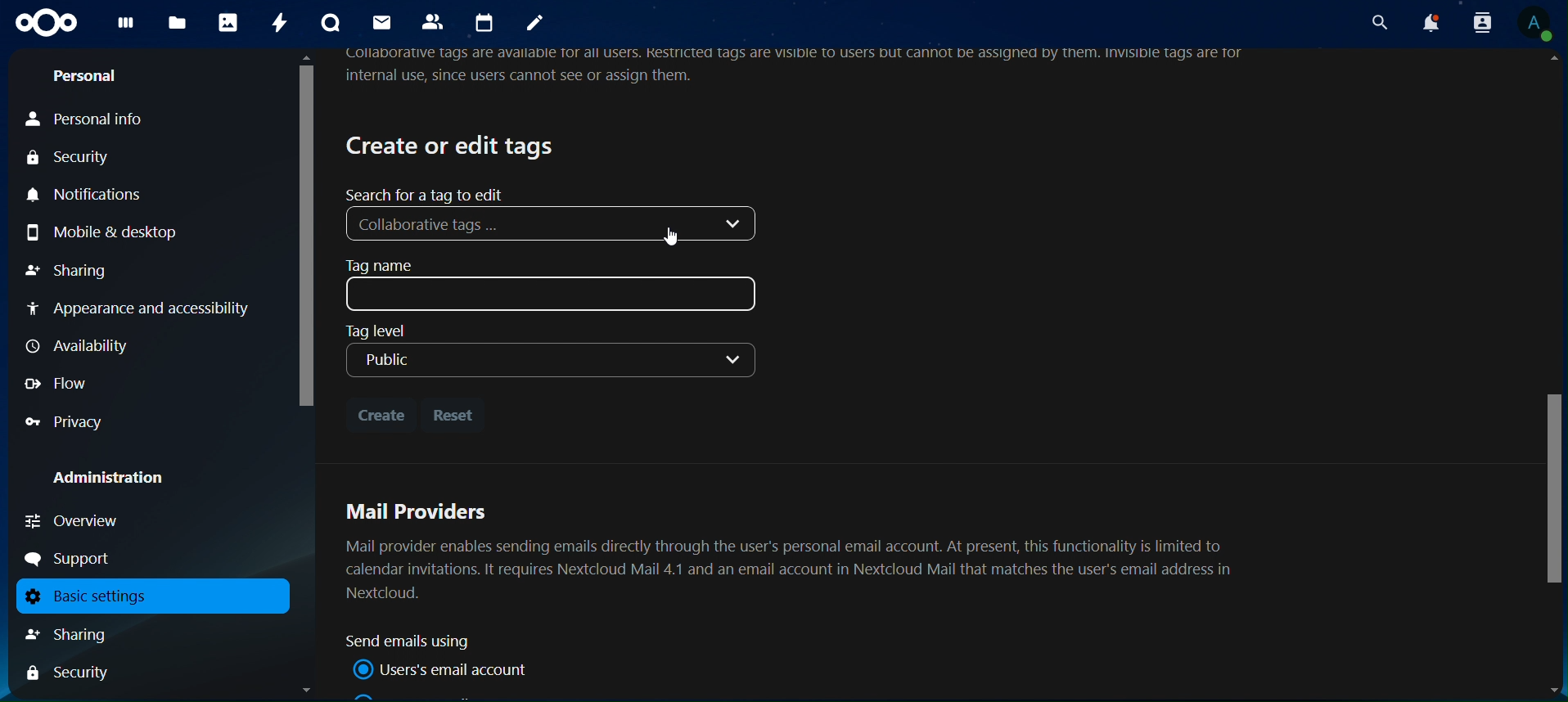  I want to click on create, so click(381, 412).